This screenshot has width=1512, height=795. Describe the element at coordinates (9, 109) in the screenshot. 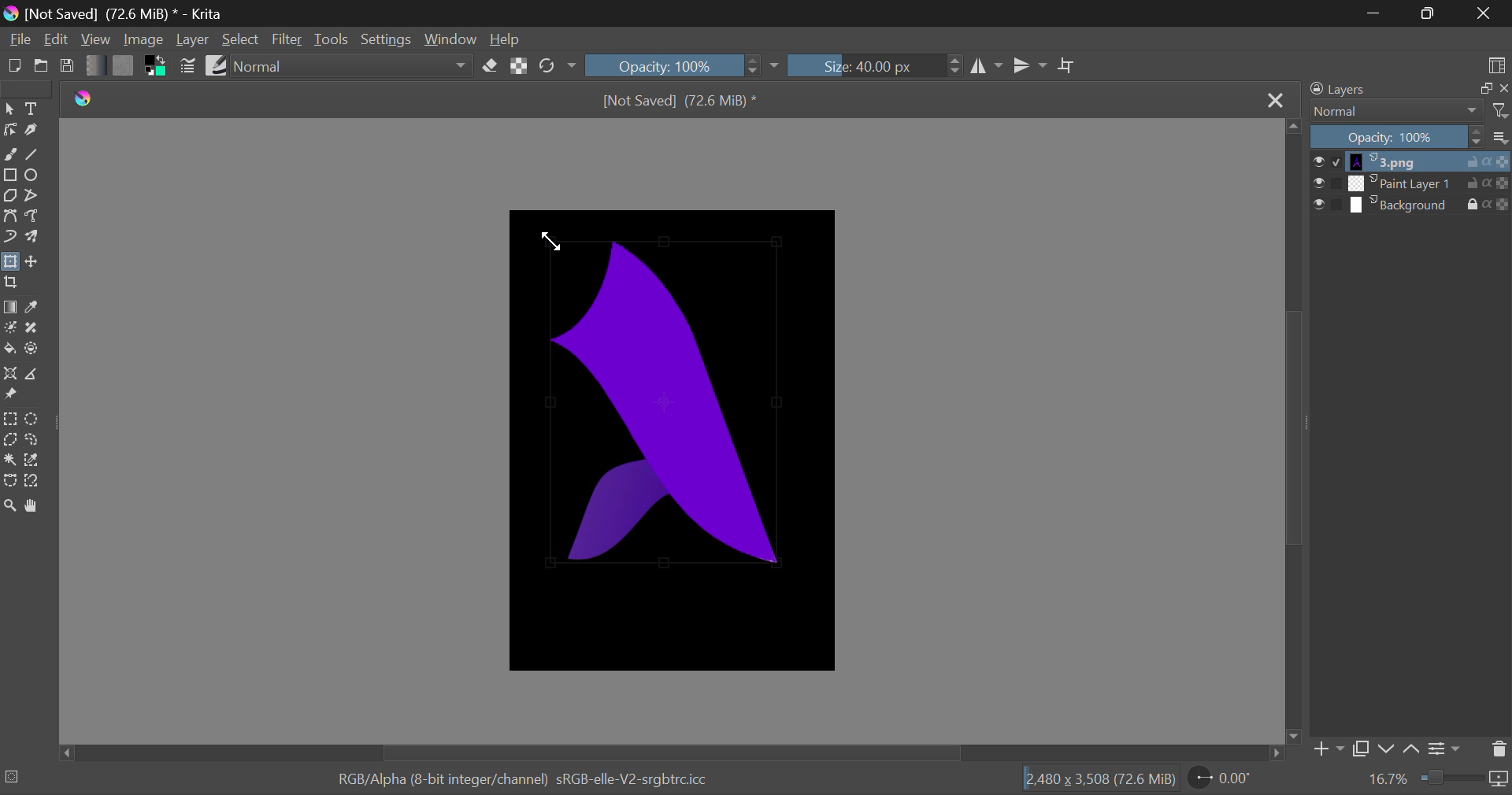

I see `Select` at that location.